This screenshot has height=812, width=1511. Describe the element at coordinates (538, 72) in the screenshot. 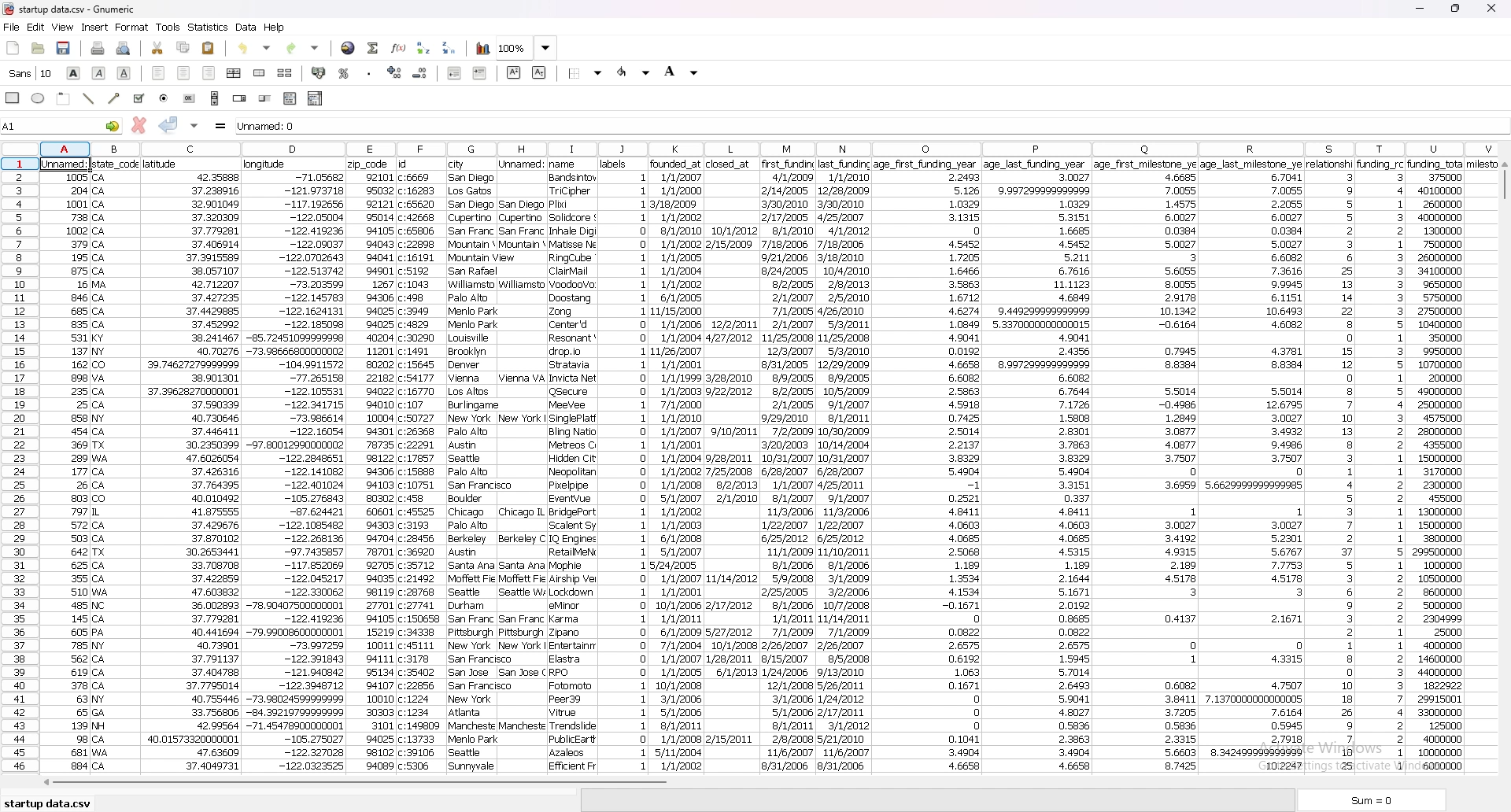

I see `subscript` at that location.